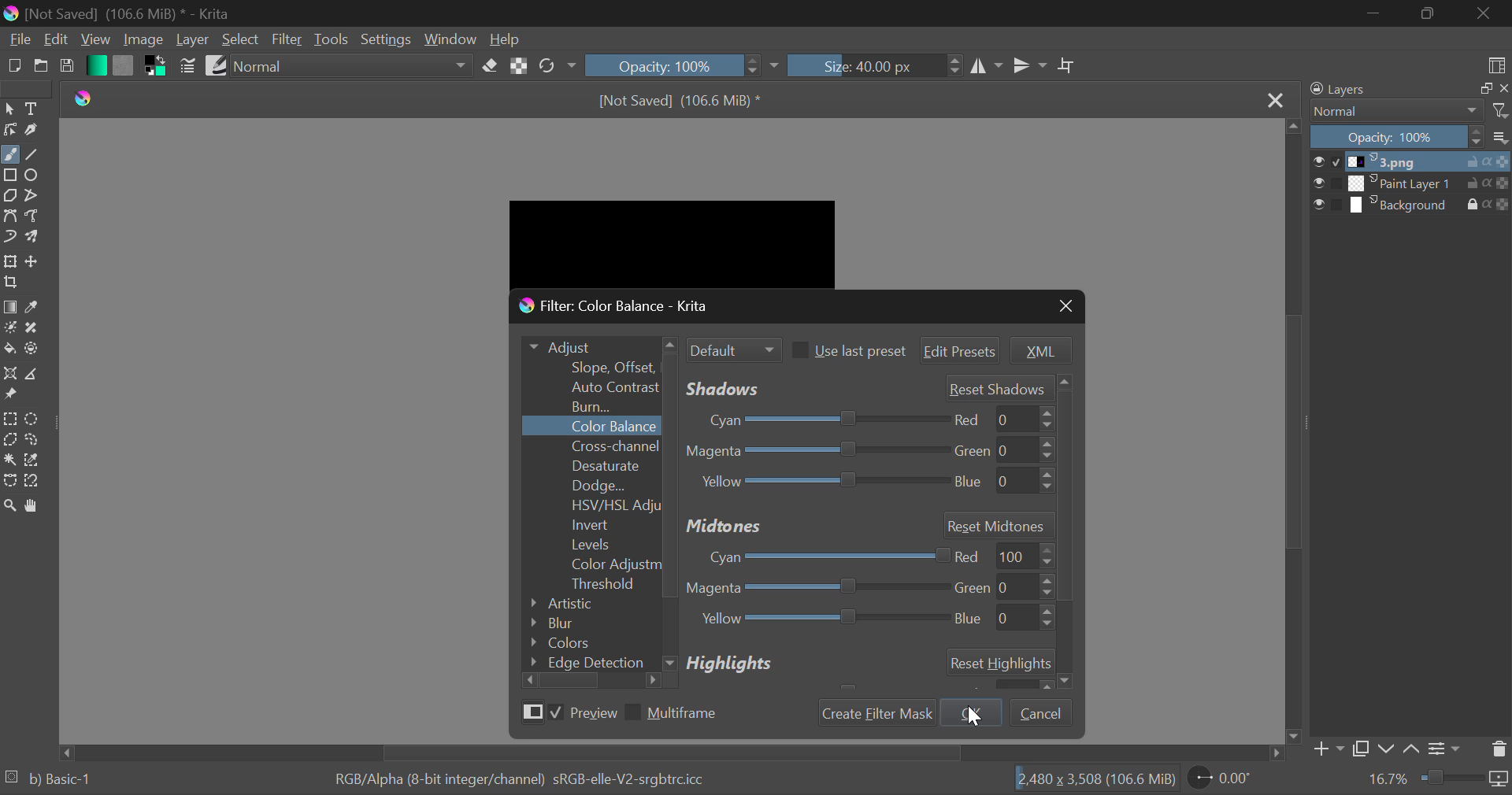 The height and width of the screenshot is (795, 1512). What do you see at coordinates (188, 65) in the screenshot?
I see `Brush Settings` at bounding box center [188, 65].